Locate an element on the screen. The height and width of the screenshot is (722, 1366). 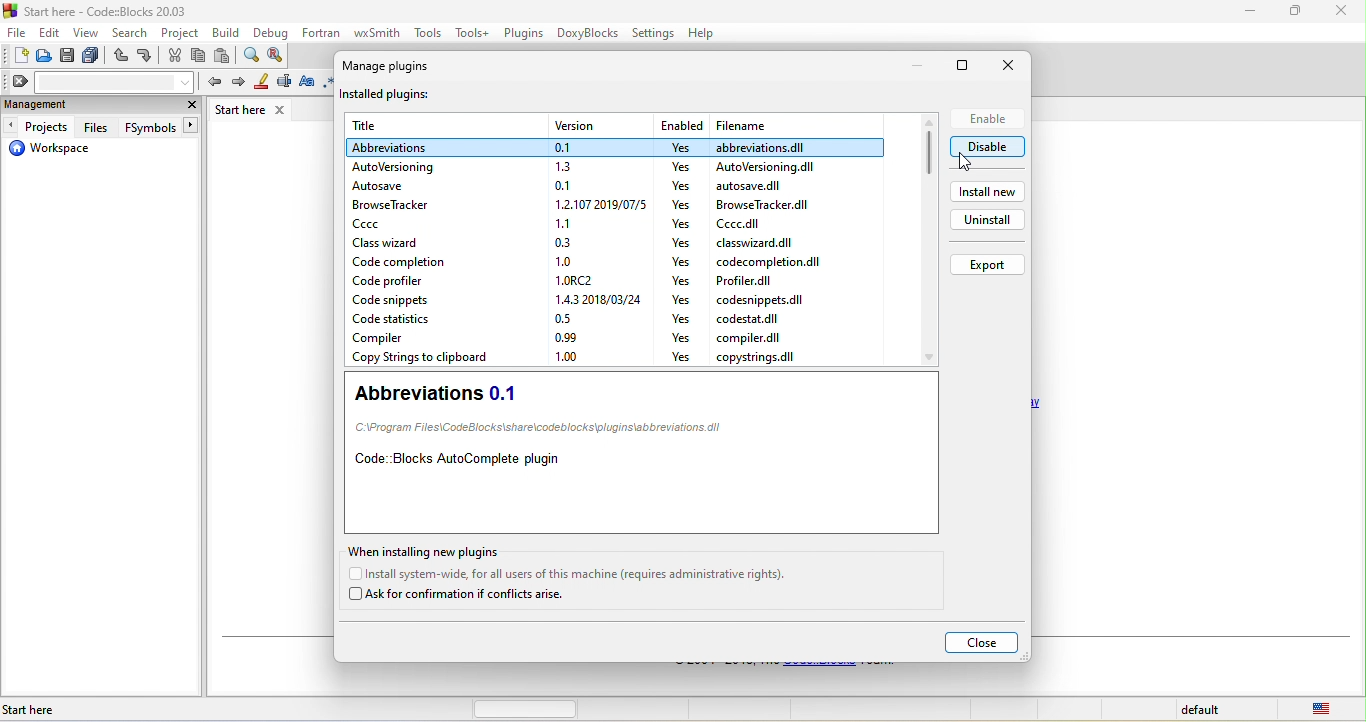
yes is located at coordinates (680, 337).